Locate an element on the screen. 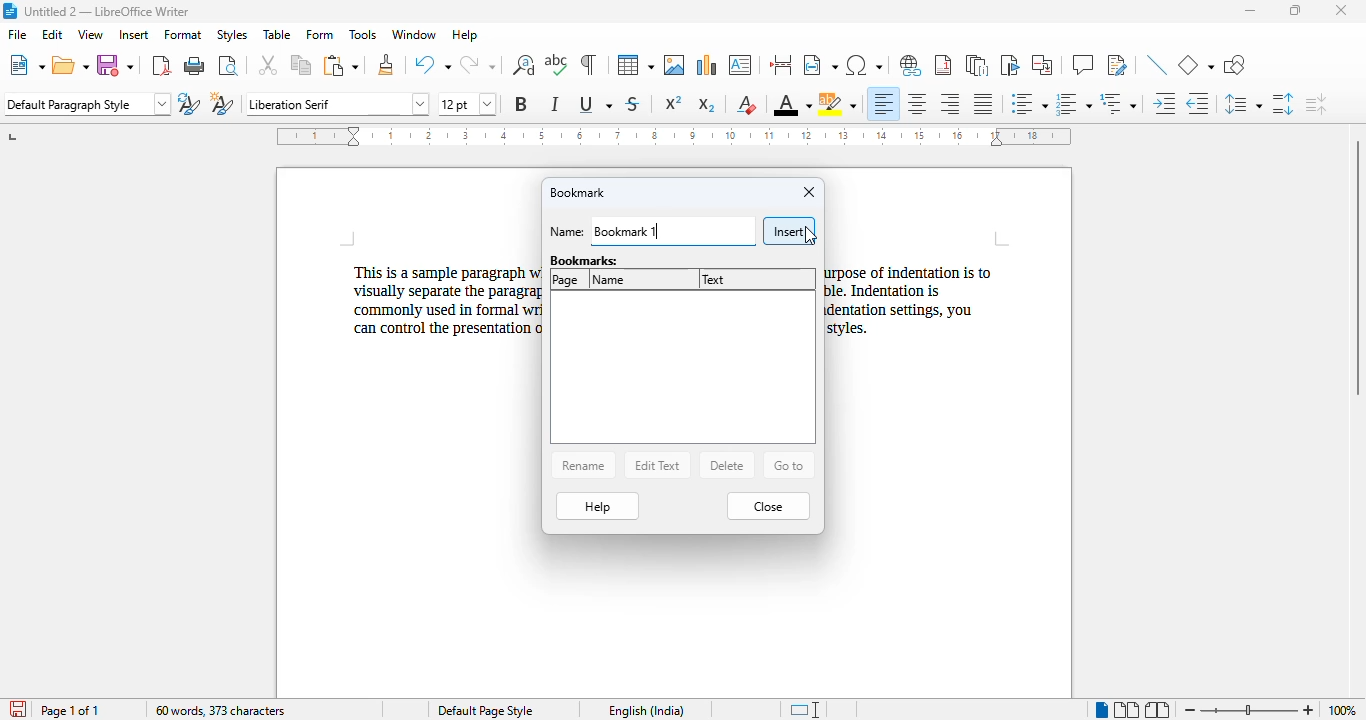  window is located at coordinates (414, 35).